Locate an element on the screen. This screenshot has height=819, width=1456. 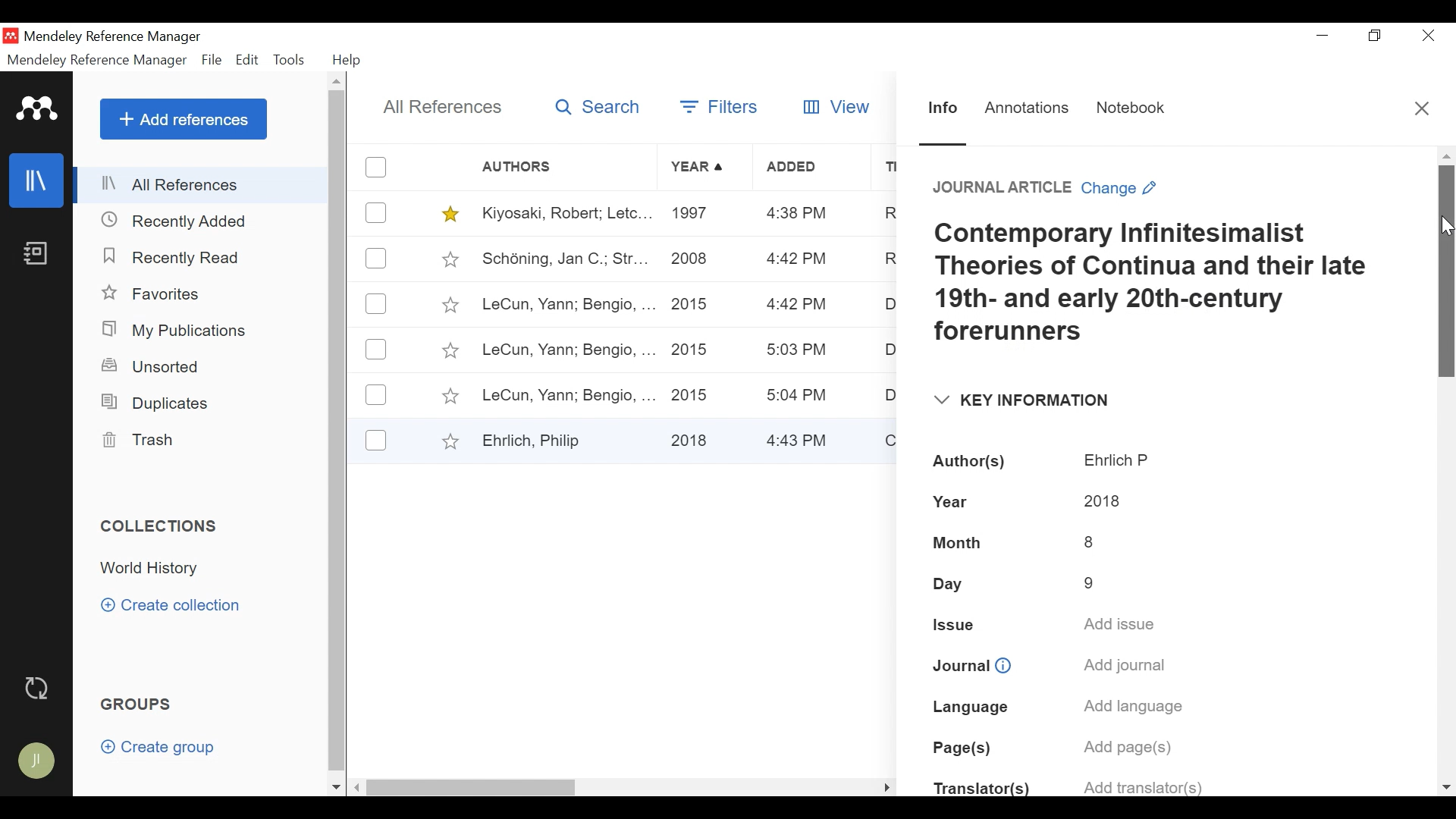
Year is located at coordinates (700, 168).